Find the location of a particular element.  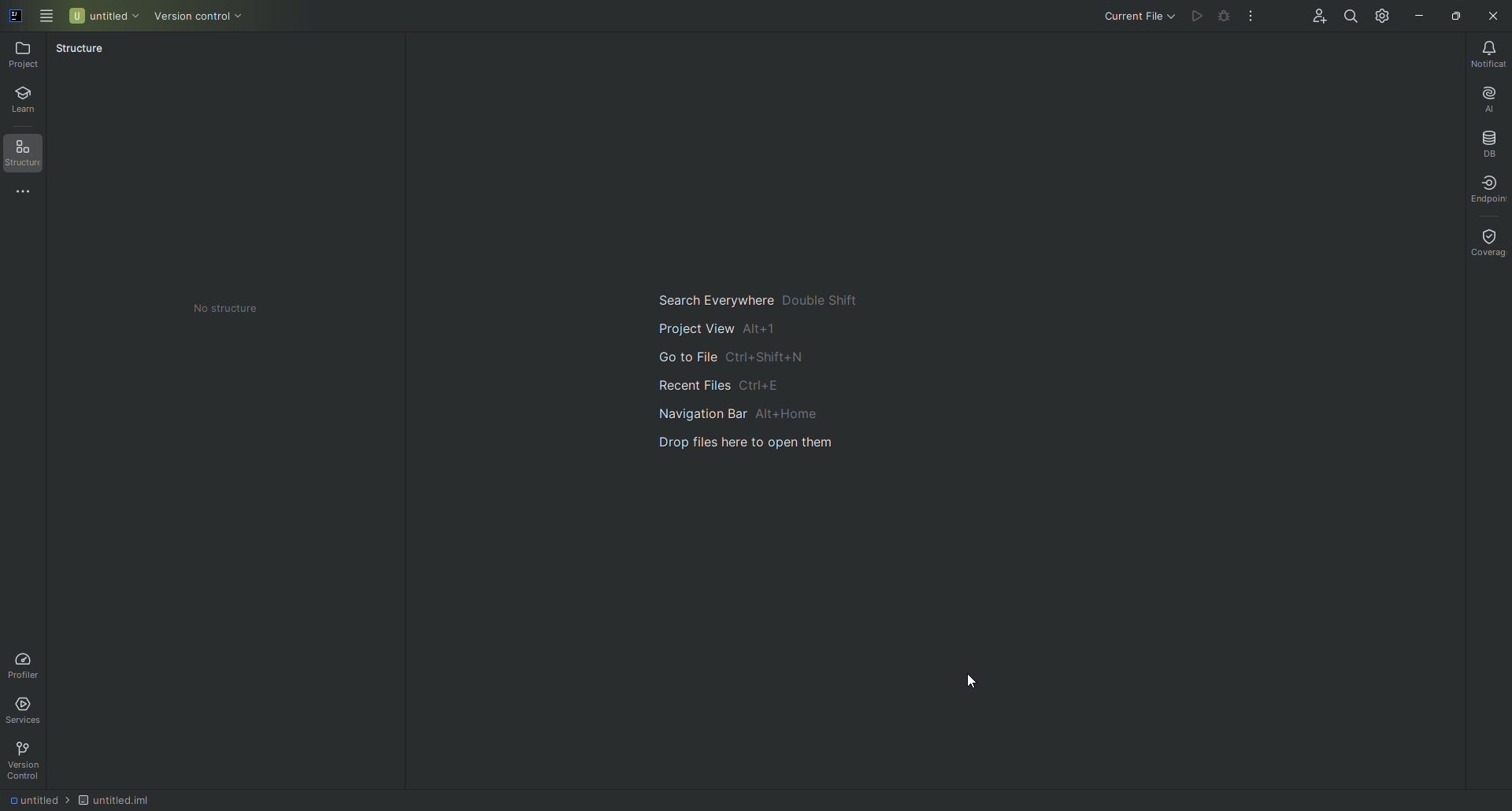

Version Control is located at coordinates (195, 16).